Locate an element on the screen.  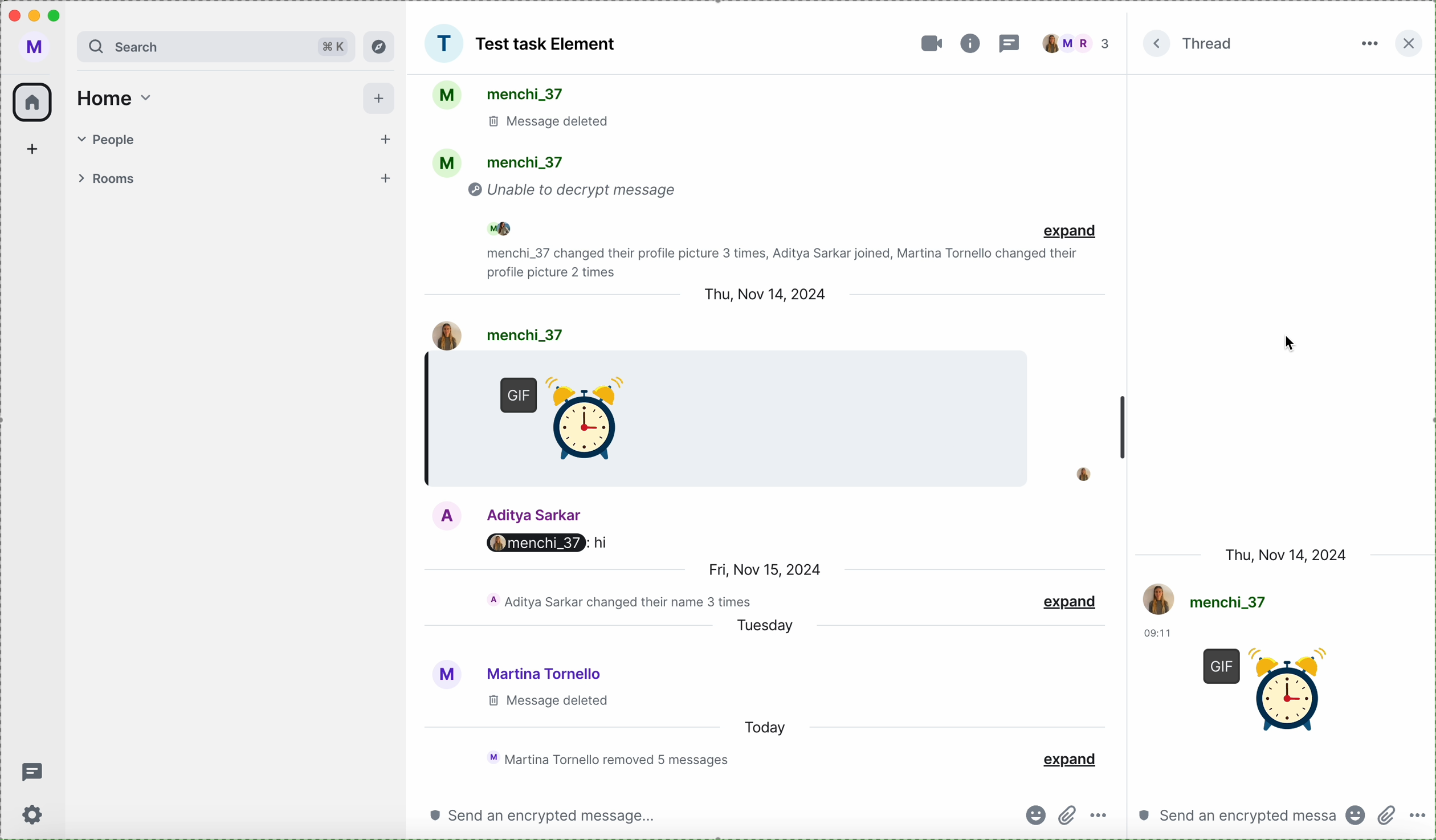
explore is located at coordinates (380, 46).